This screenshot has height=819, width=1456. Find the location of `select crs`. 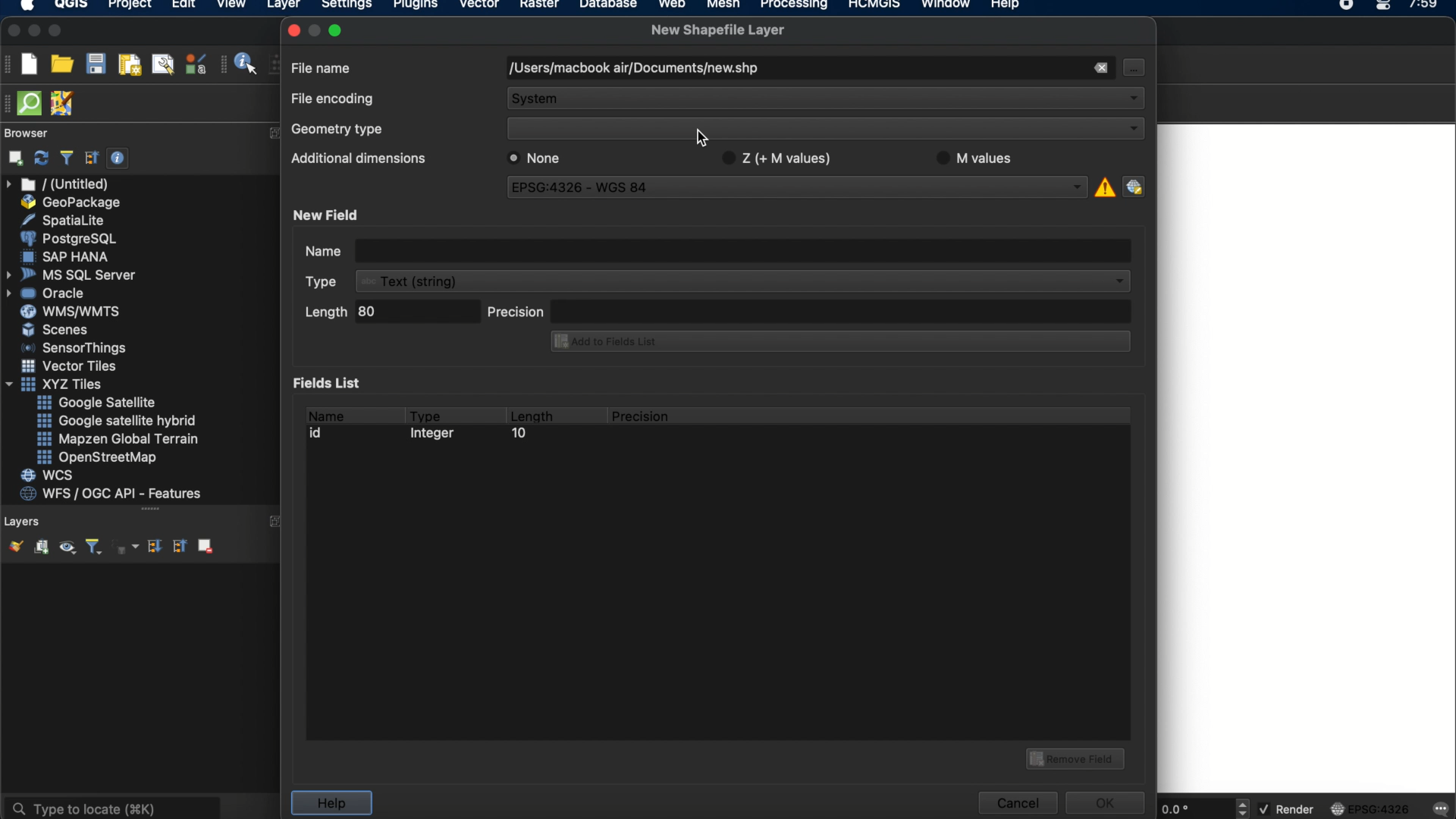

select crs is located at coordinates (1134, 186).